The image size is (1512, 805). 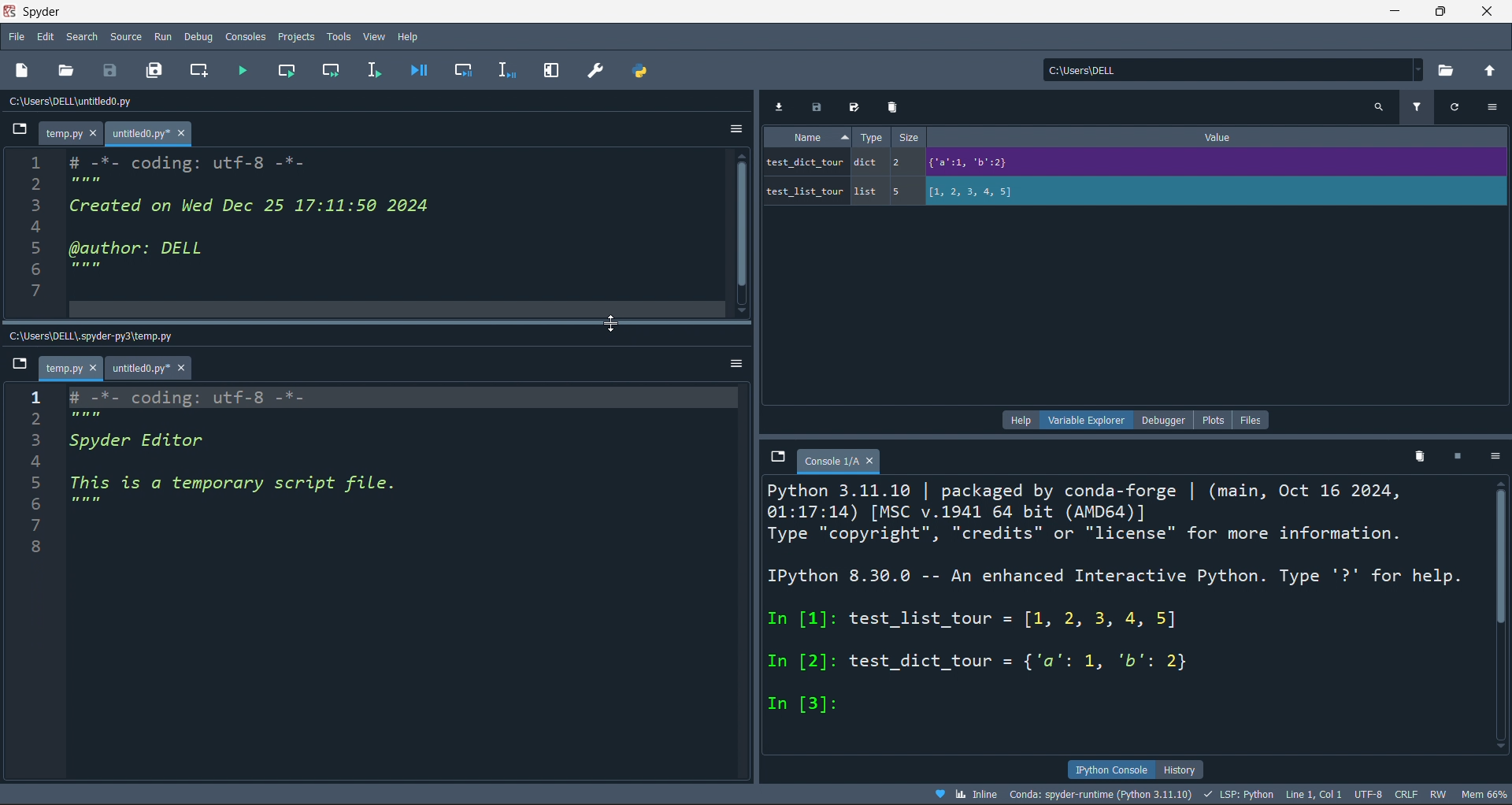 What do you see at coordinates (162, 36) in the screenshot?
I see `run` at bounding box center [162, 36].